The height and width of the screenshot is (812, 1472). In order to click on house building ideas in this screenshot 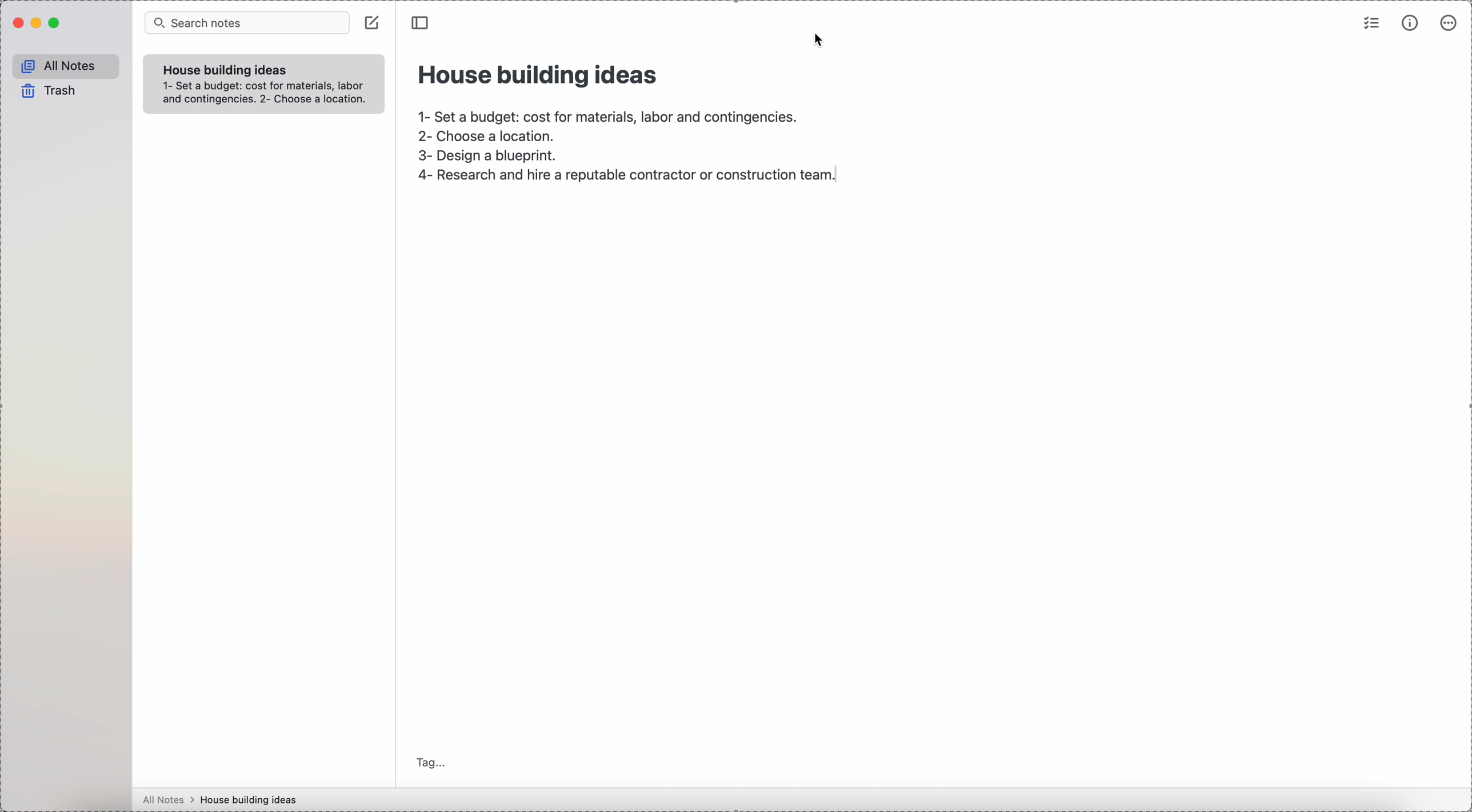, I will do `click(539, 73)`.